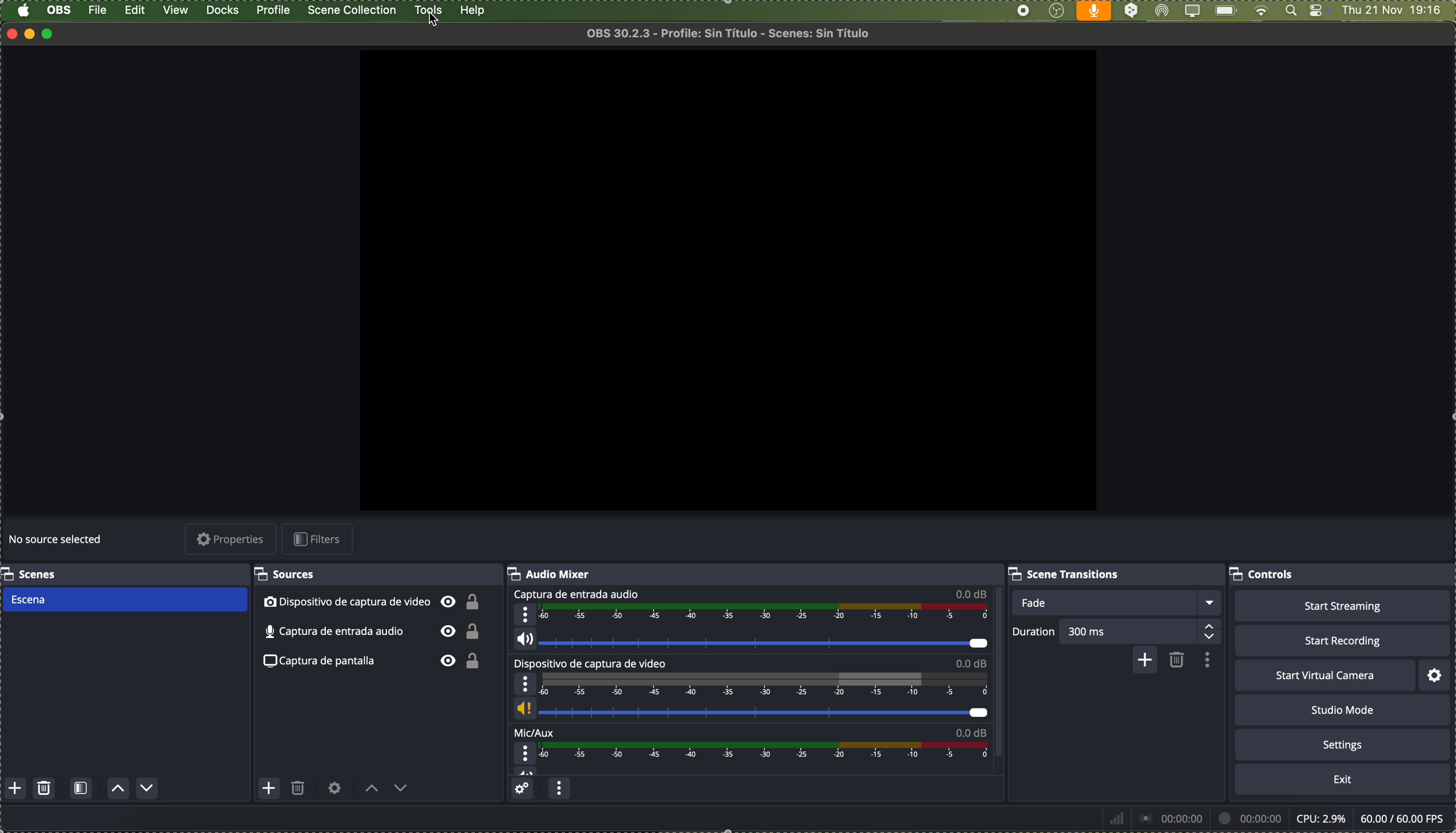 Image resolution: width=1456 pixels, height=833 pixels. I want to click on click on tools, so click(430, 9).